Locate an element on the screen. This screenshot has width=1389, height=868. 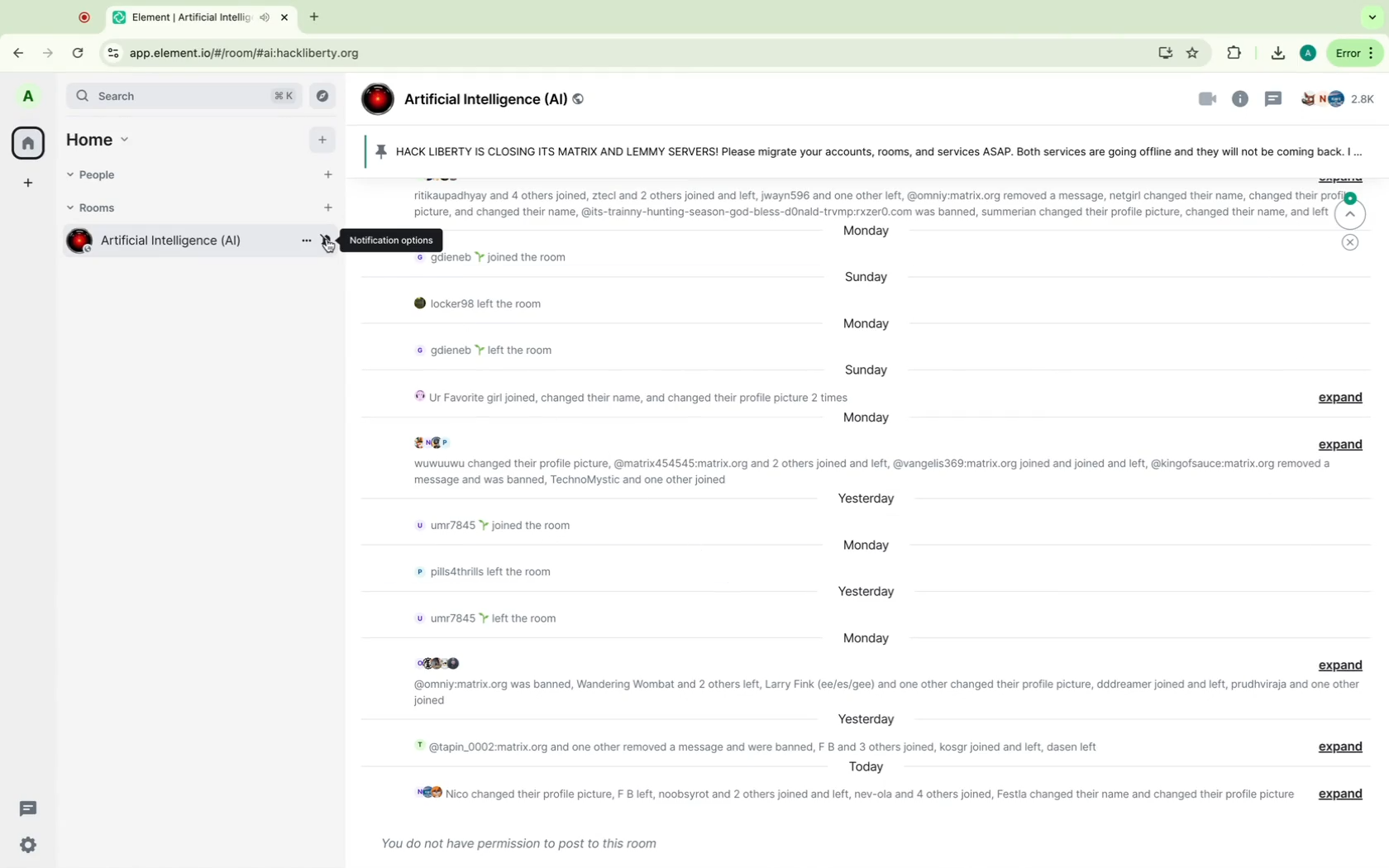
pin is located at coordinates (860, 150).